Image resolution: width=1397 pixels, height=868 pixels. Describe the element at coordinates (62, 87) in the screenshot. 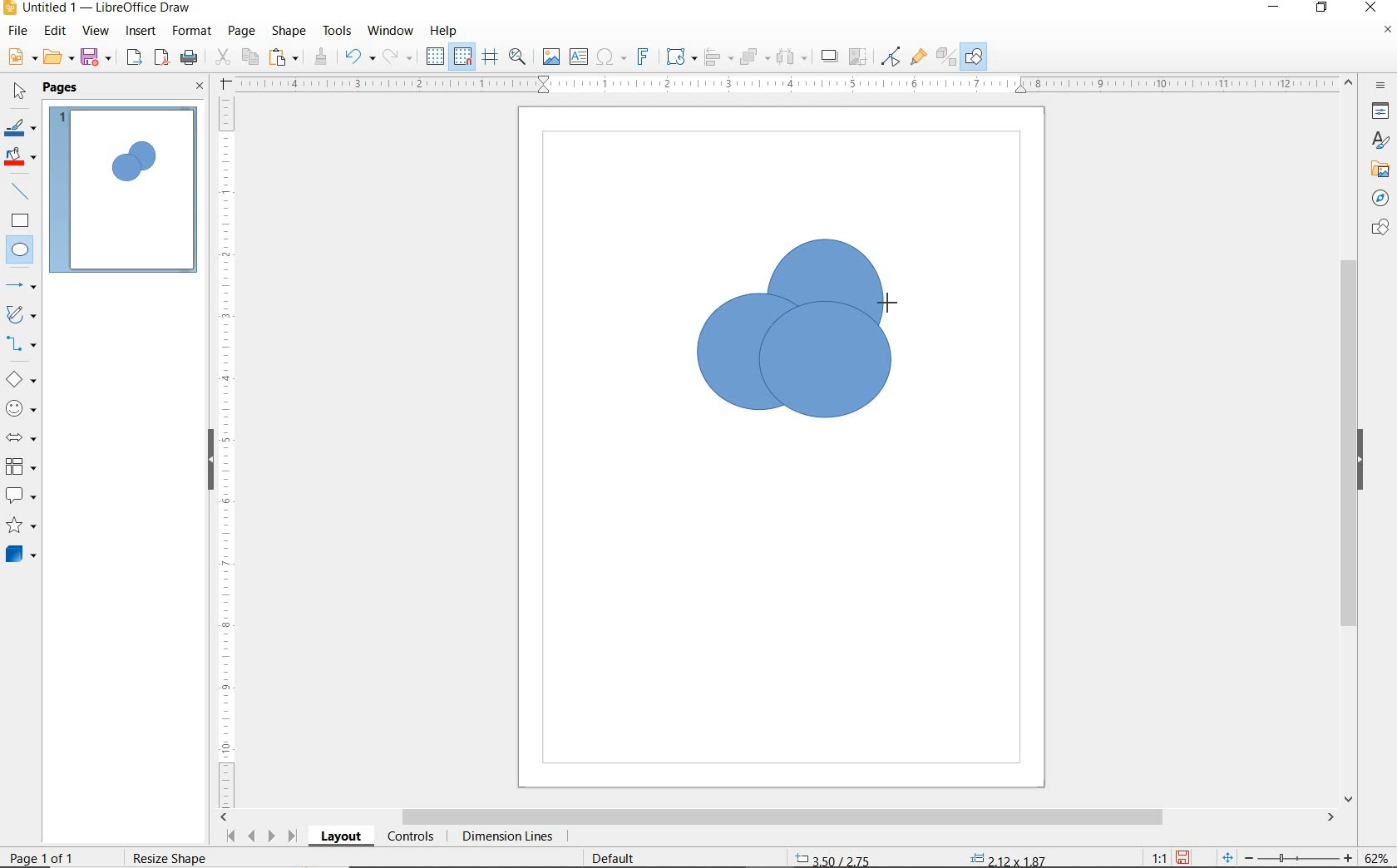

I see `PAGES` at that location.